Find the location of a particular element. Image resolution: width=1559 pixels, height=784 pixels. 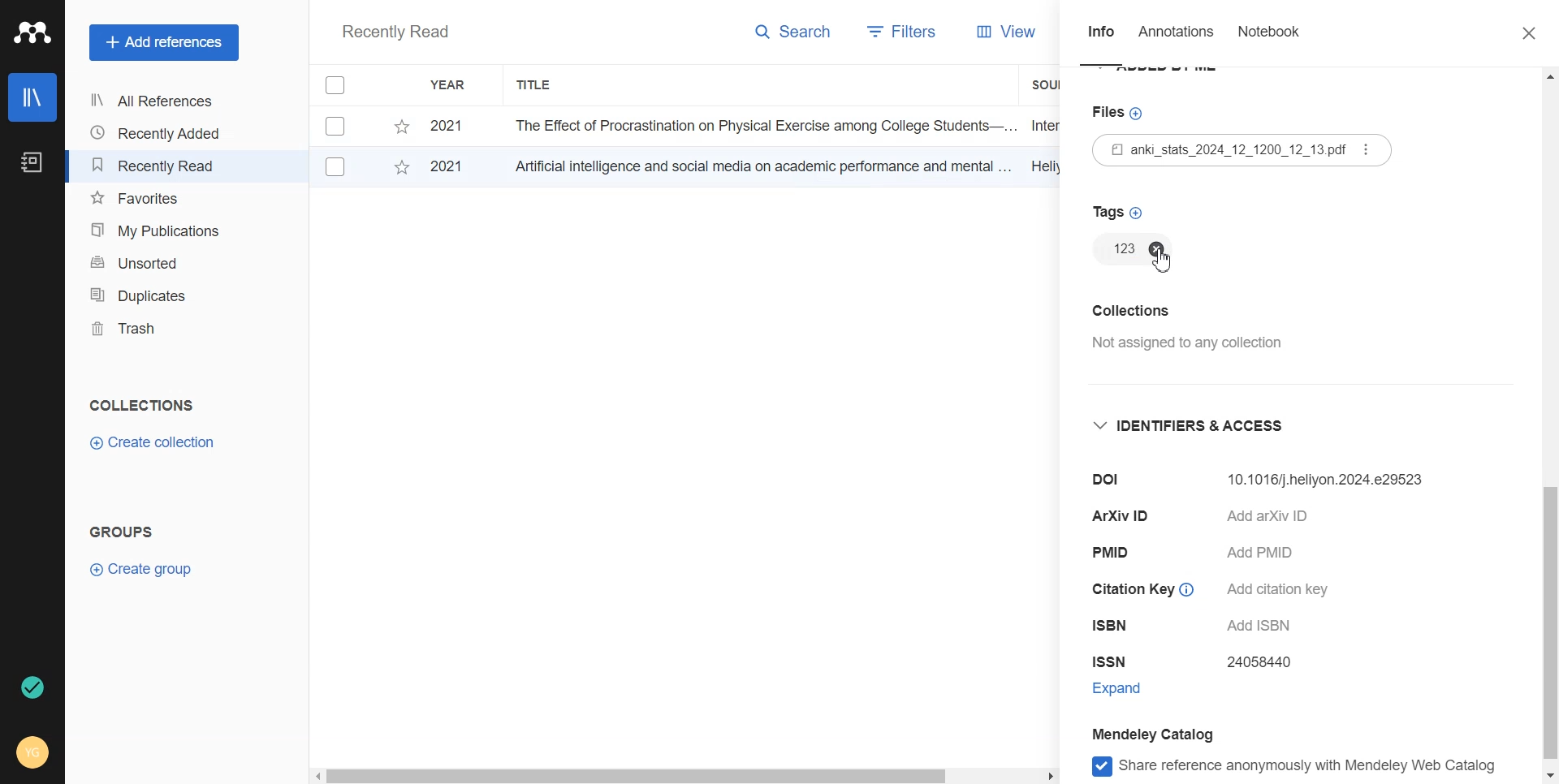

Starred is located at coordinates (401, 127).